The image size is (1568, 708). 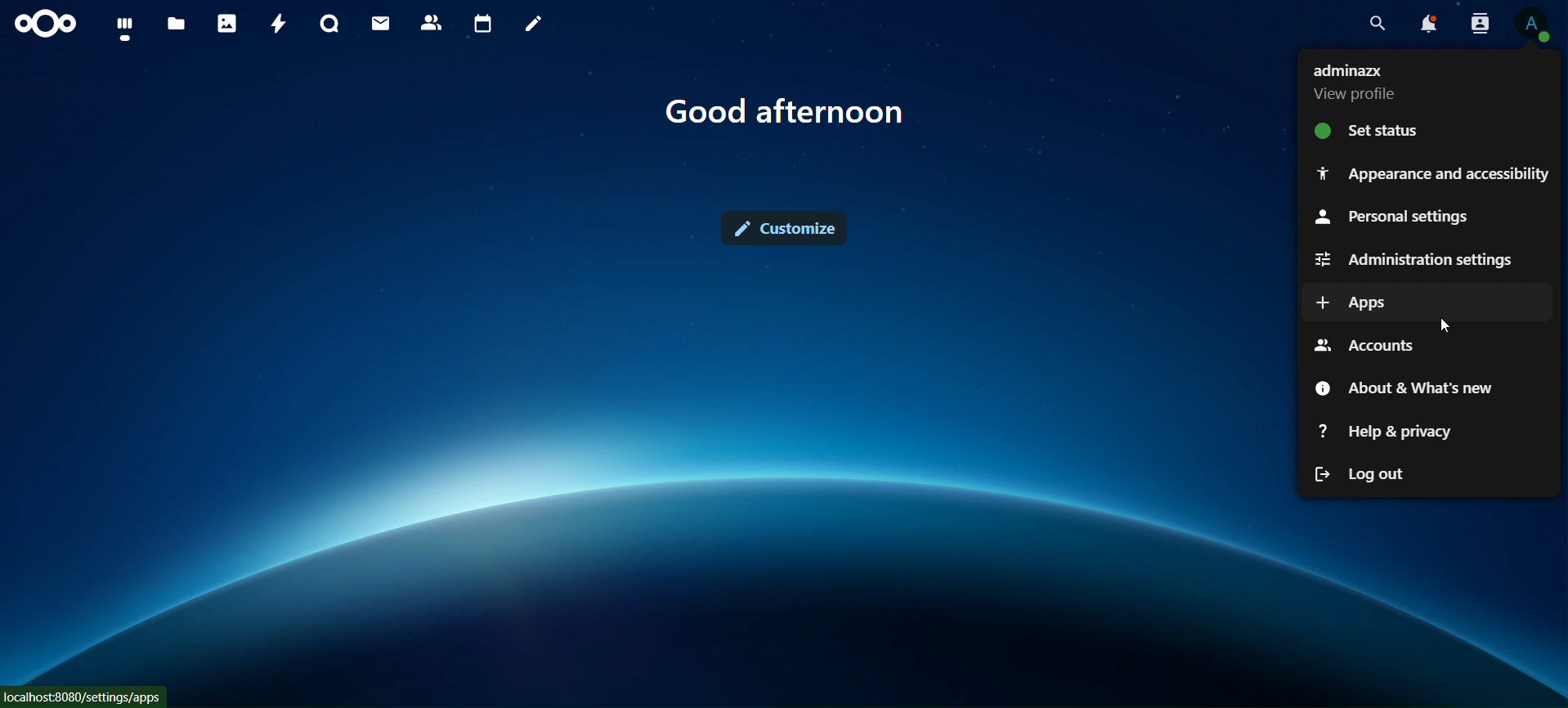 What do you see at coordinates (531, 25) in the screenshot?
I see `notes` at bounding box center [531, 25].